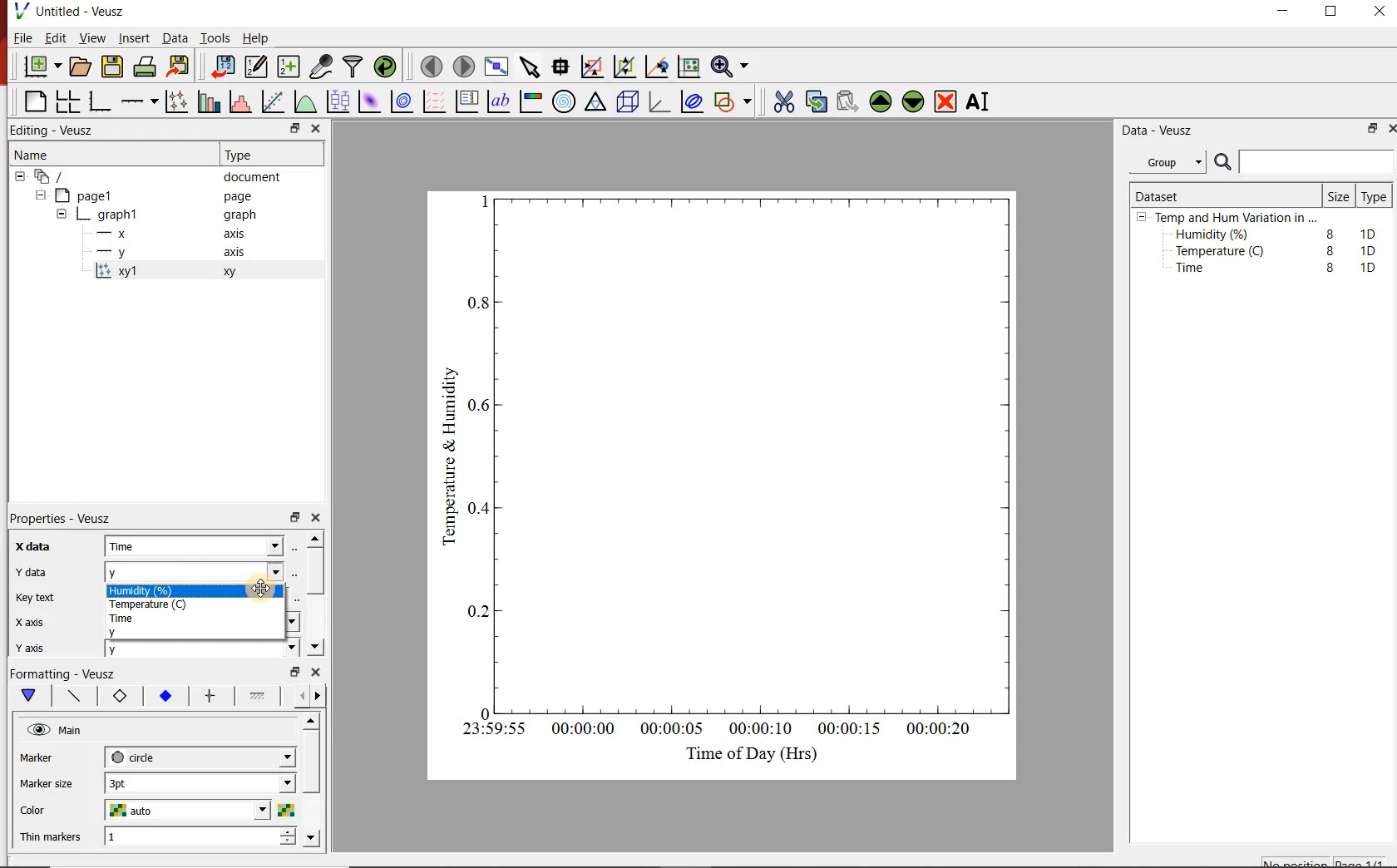  What do you see at coordinates (259, 697) in the screenshot?
I see `fill 1` at bounding box center [259, 697].